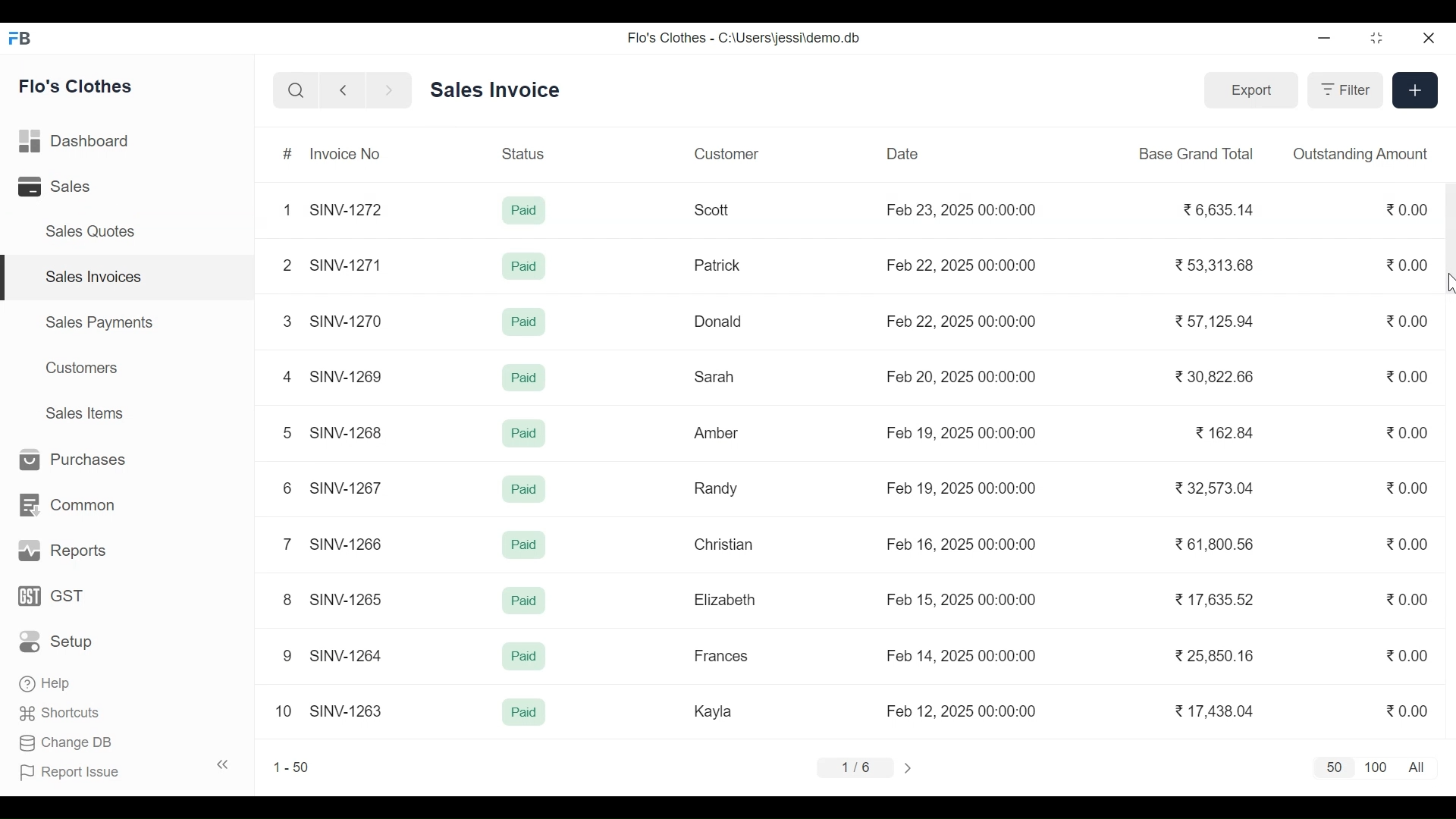  Describe the element at coordinates (1447, 240) in the screenshot. I see `Vertical Scroll bar` at that location.